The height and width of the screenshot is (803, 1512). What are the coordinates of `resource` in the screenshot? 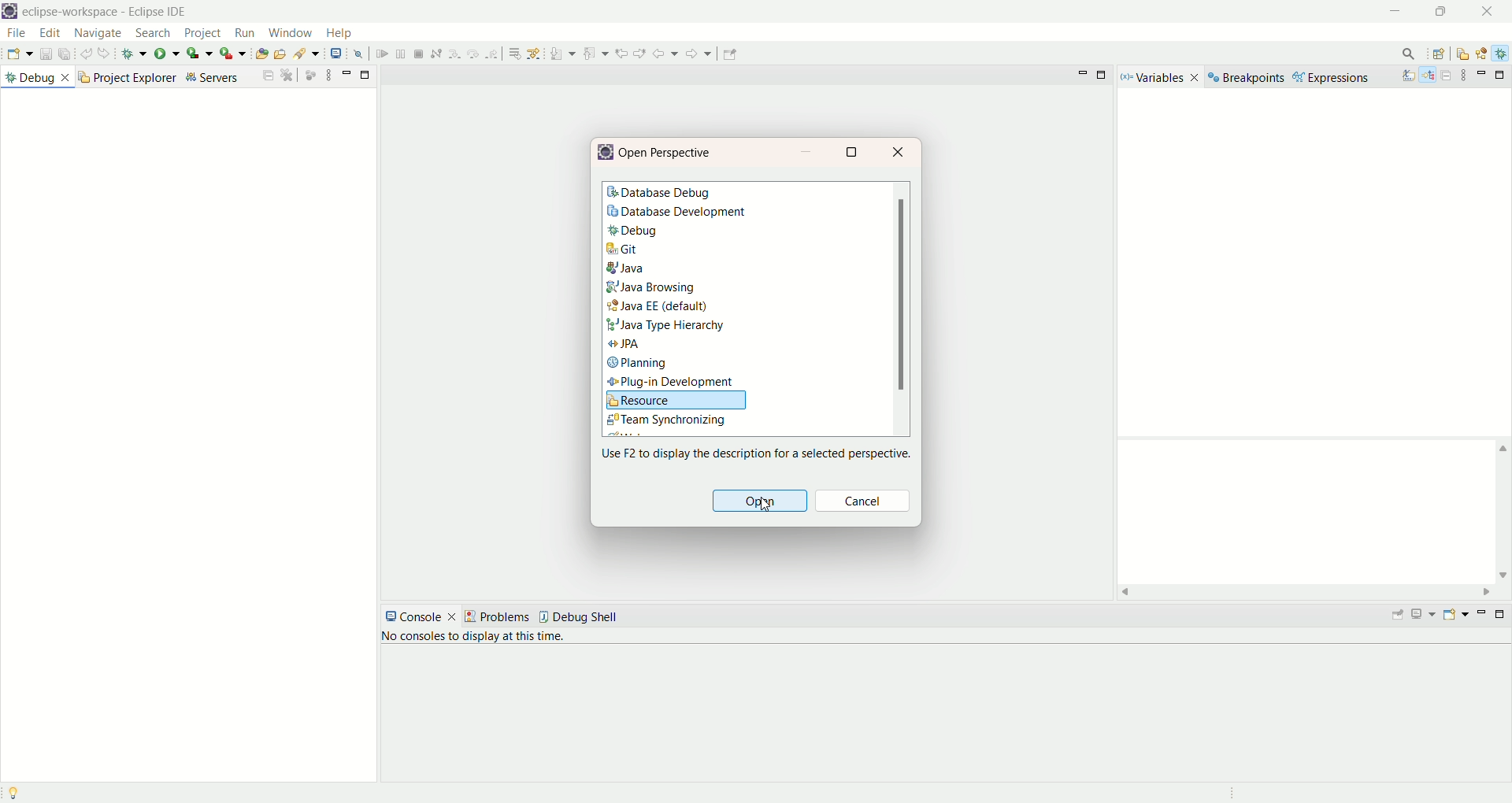 It's located at (676, 401).